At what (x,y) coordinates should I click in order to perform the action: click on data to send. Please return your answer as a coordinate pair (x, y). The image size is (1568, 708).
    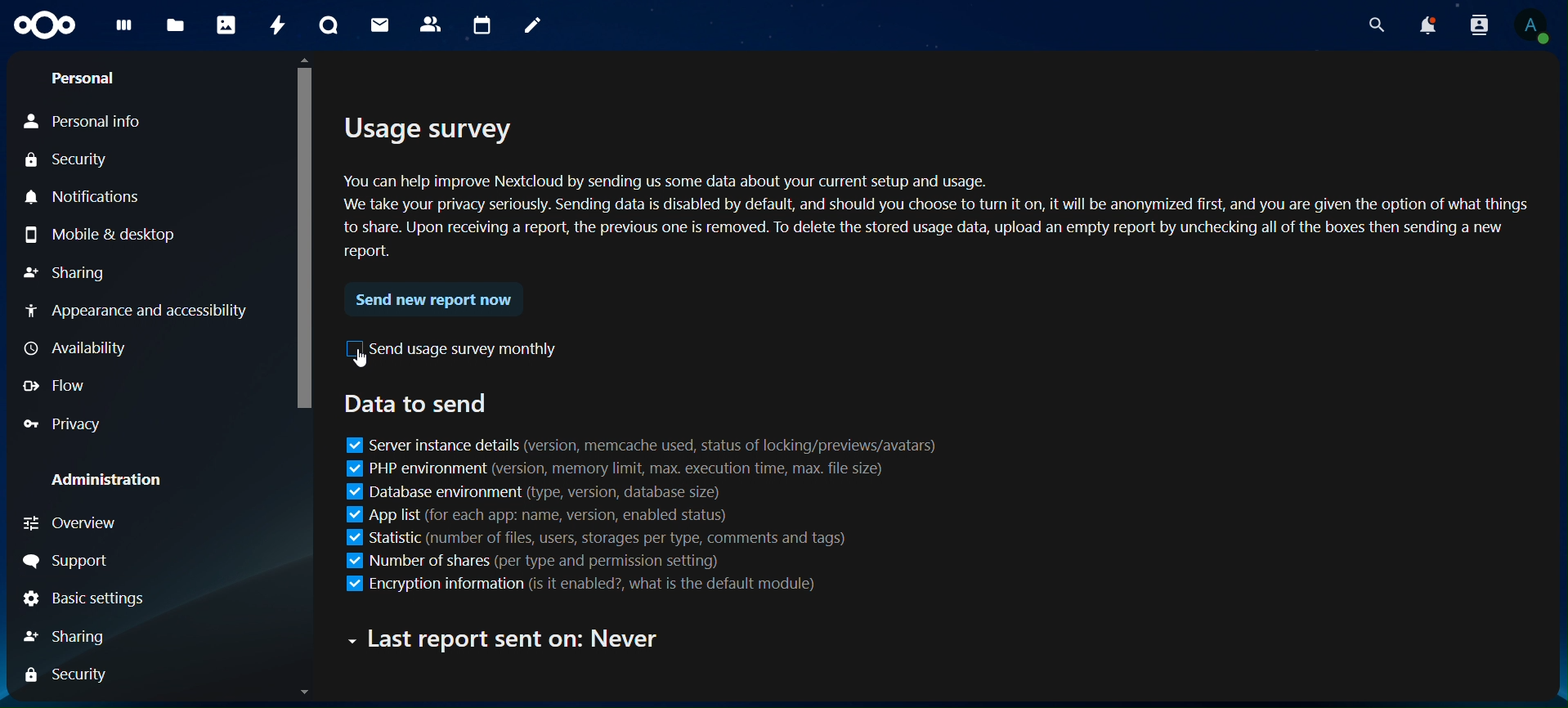
    Looking at the image, I should click on (415, 402).